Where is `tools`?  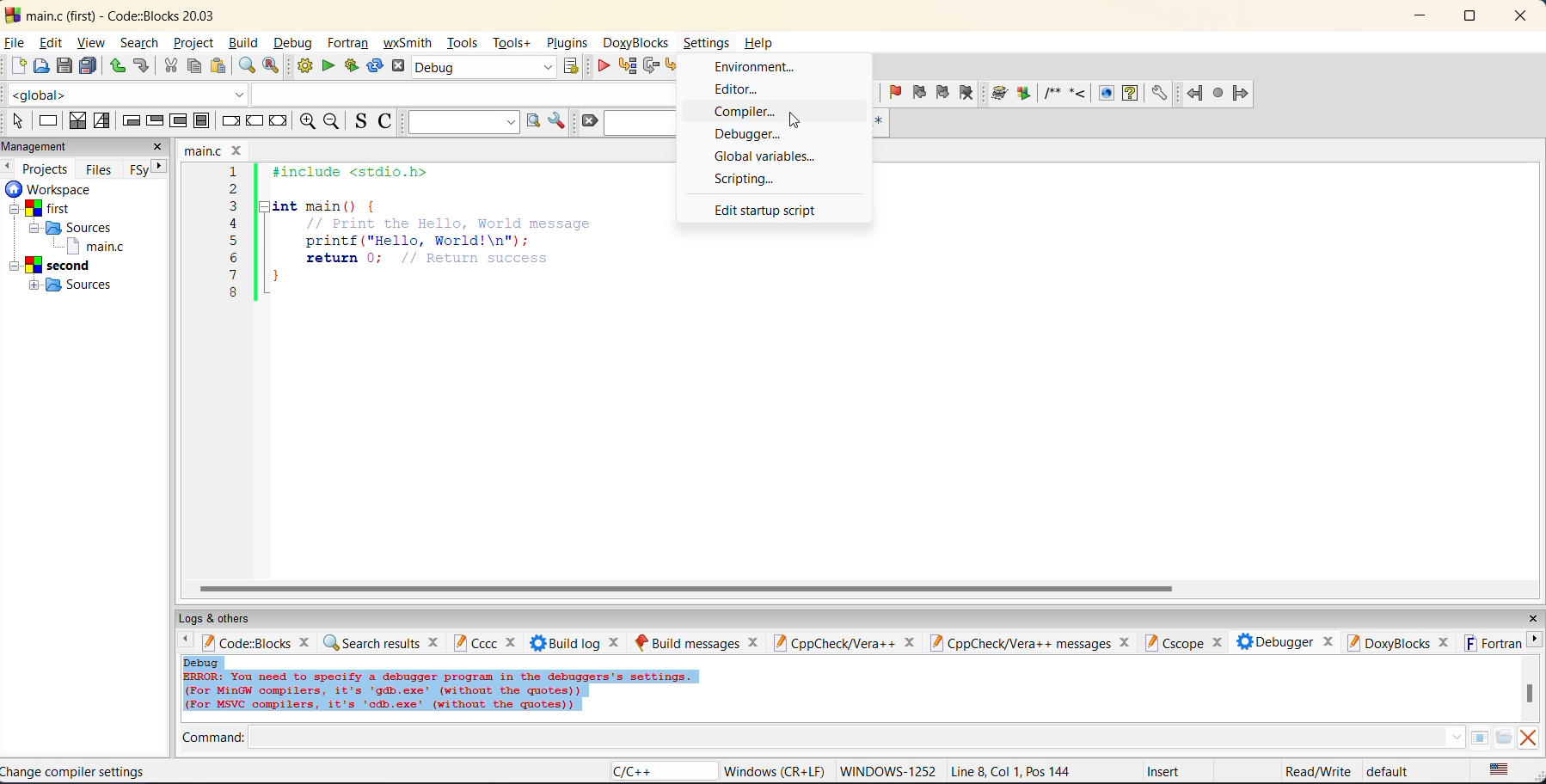
tools is located at coordinates (462, 44).